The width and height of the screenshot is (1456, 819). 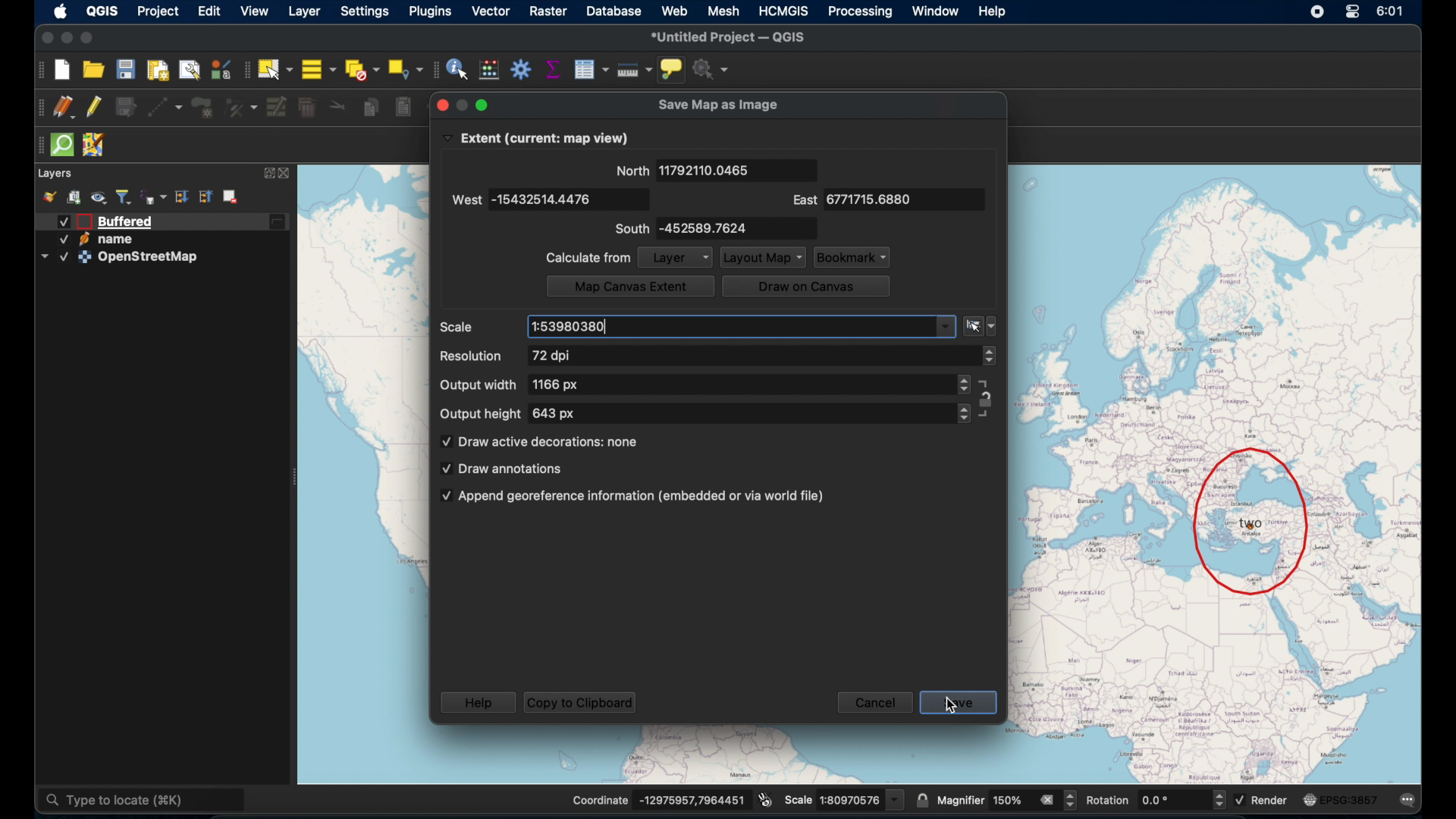 What do you see at coordinates (629, 170) in the screenshot?
I see `north` at bounding box center [629, 170].